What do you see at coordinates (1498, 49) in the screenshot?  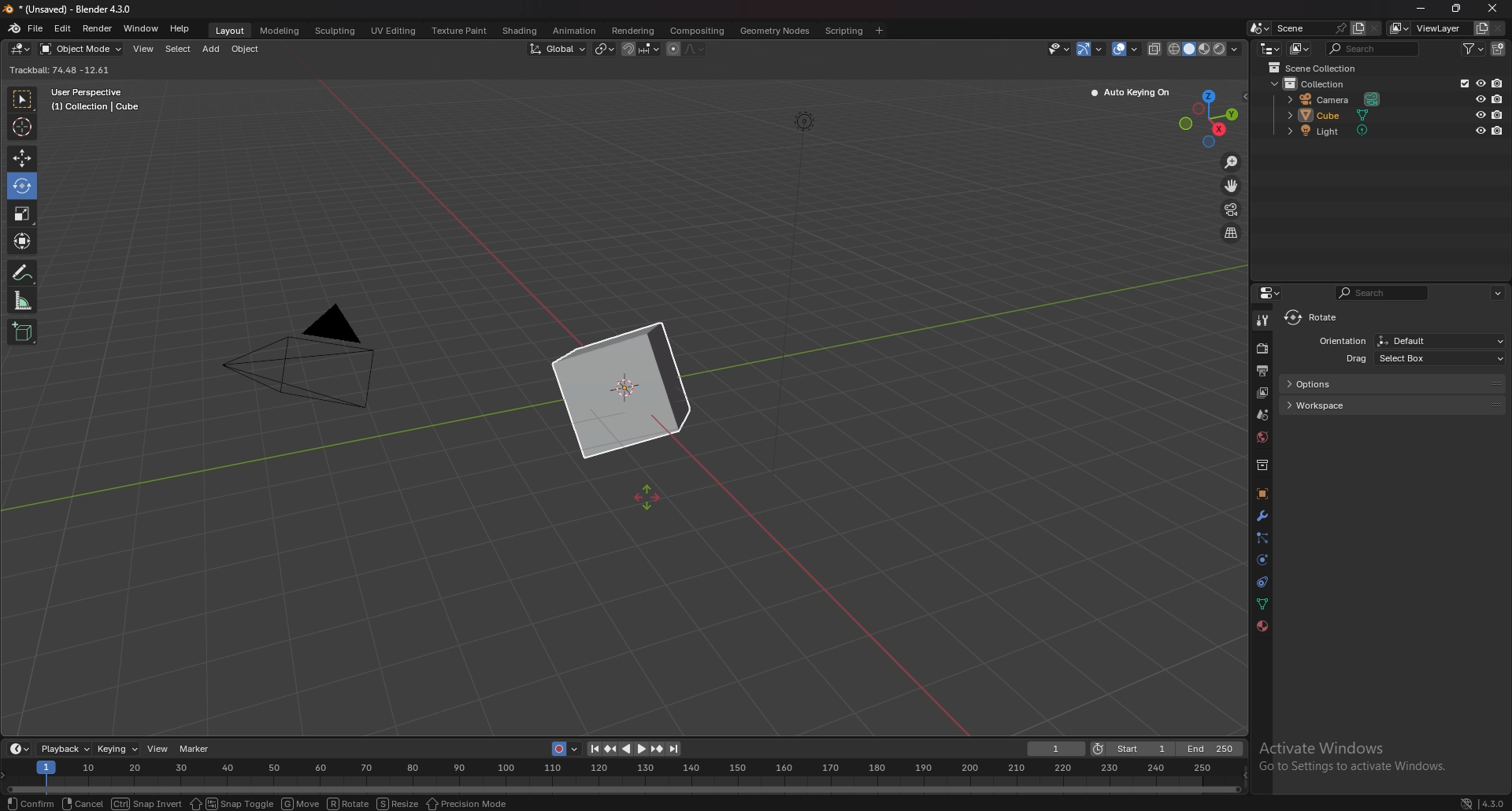 I see `add collection` at bounding box center [1498, 49].